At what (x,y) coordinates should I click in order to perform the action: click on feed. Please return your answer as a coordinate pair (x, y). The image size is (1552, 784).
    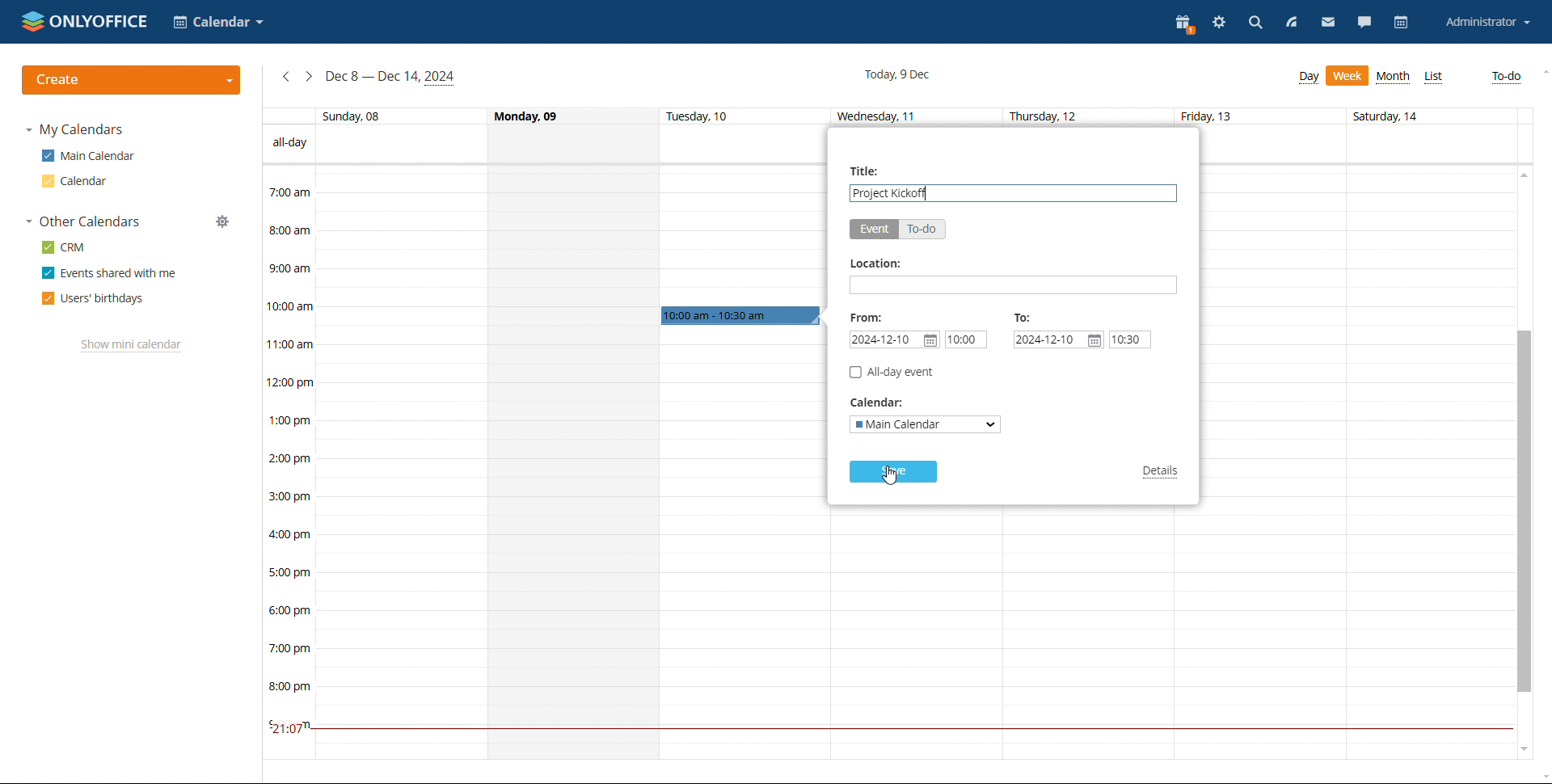
    Looking at the image, I should click on (1292, 23).